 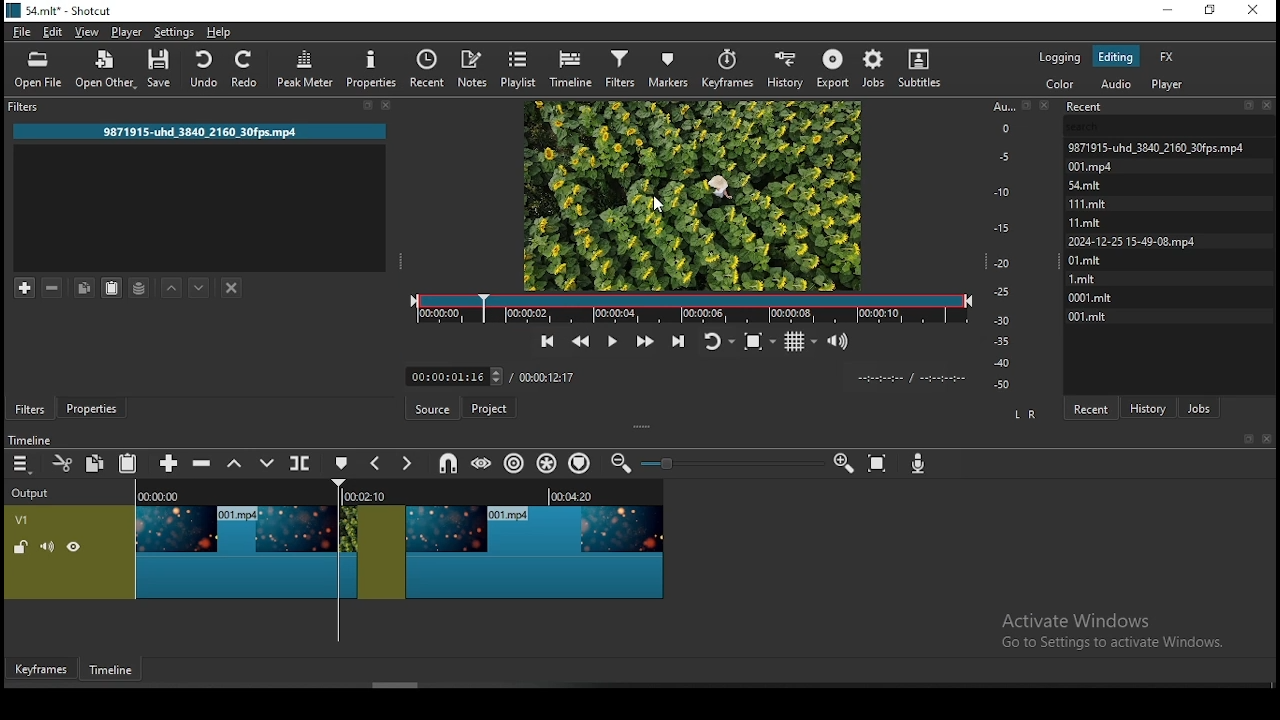 I want to click on move filter up, so click(x=173, y=286).